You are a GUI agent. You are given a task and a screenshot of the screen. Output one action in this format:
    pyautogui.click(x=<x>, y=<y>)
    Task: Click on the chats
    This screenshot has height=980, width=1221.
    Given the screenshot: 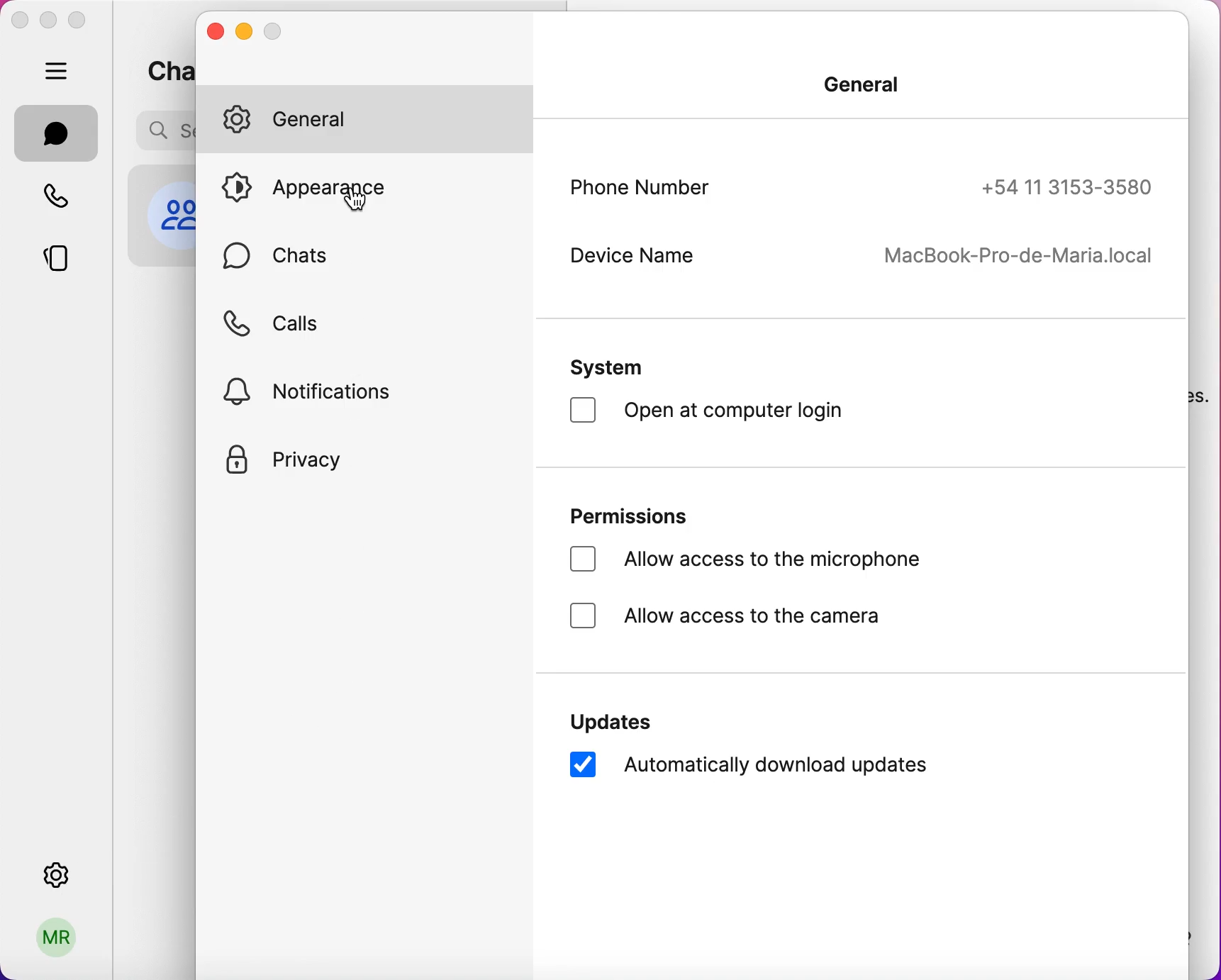 What is the action you would take?
    pyautogui.click(x=161, y=69)
    